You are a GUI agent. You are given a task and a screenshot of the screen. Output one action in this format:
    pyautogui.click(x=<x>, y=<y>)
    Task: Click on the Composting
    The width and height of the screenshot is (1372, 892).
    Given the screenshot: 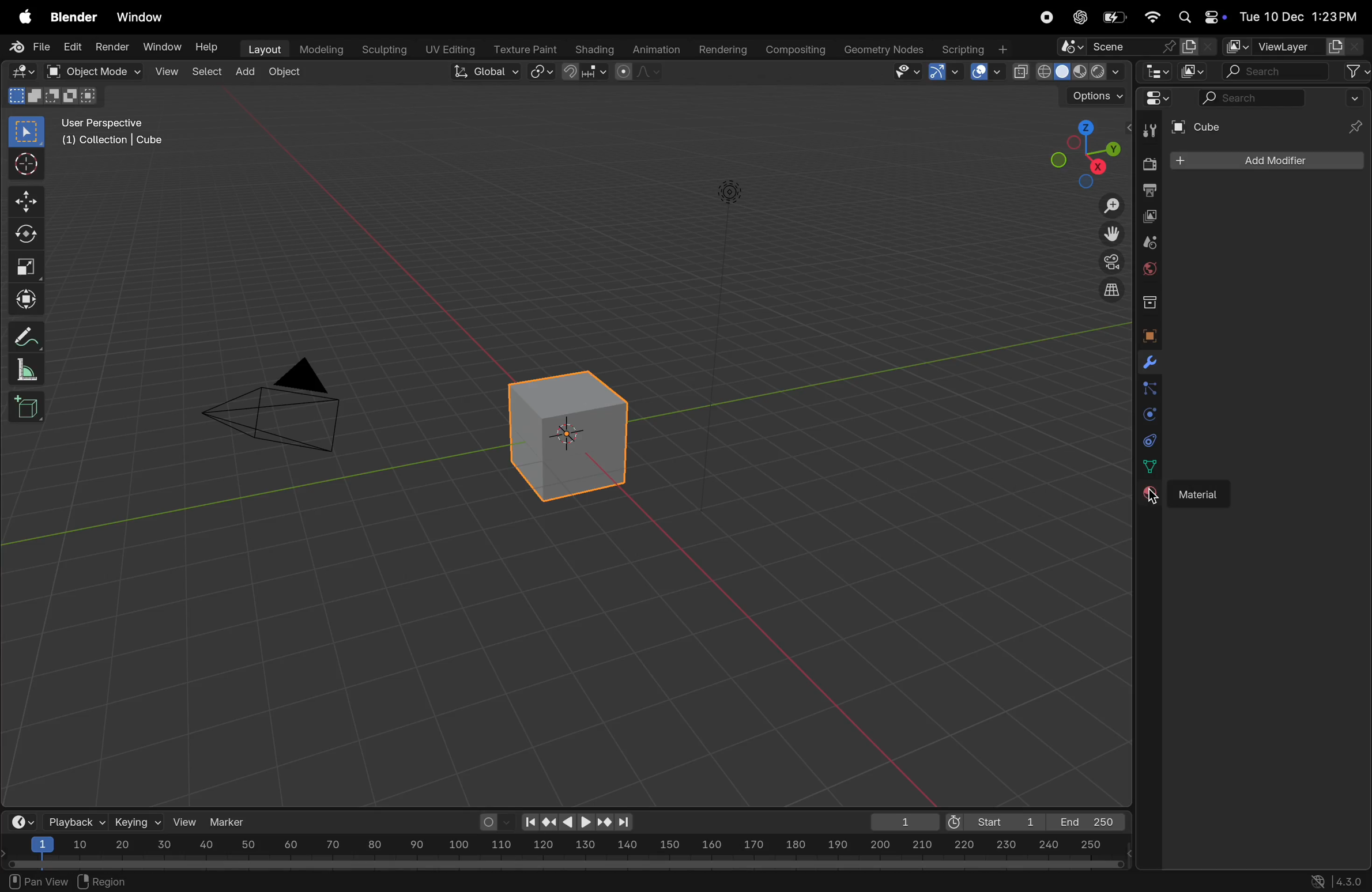 What is the action you would take?
    pyautogui.click(x=796, y=50)
    